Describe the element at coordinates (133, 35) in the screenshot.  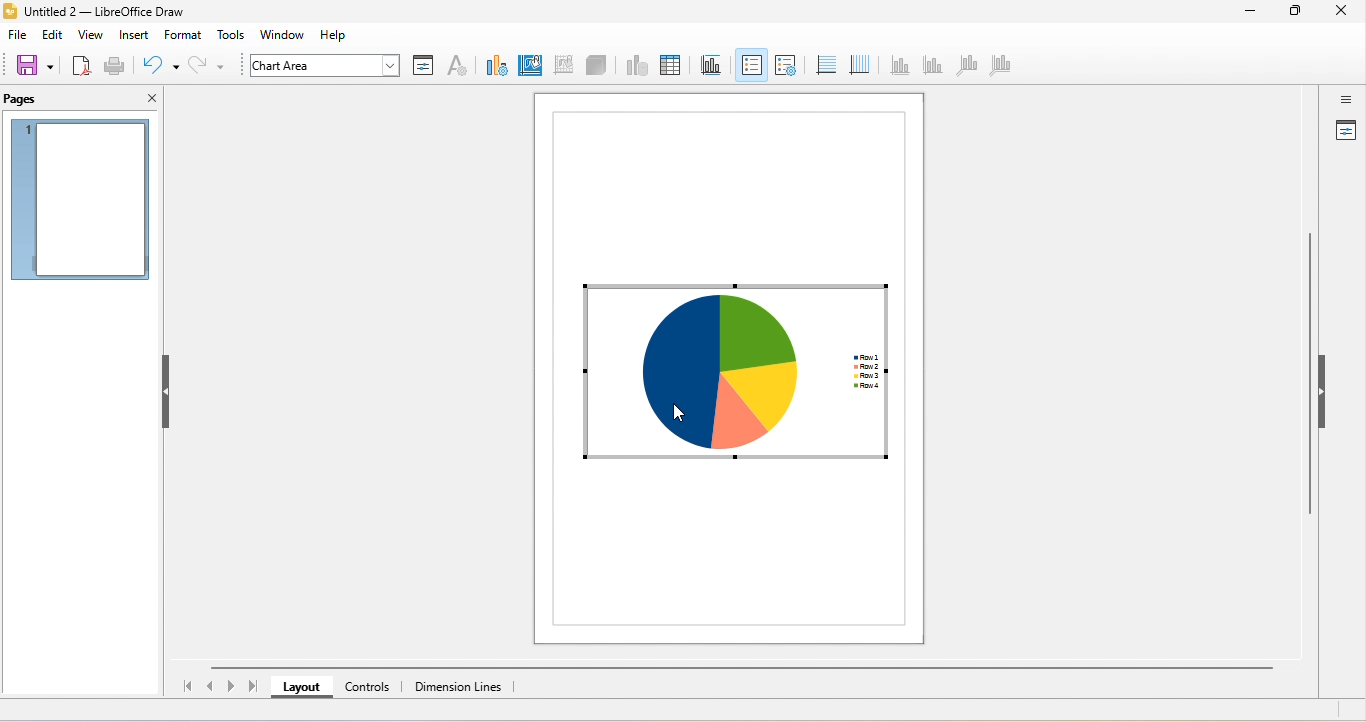
I see `insert` at that location.